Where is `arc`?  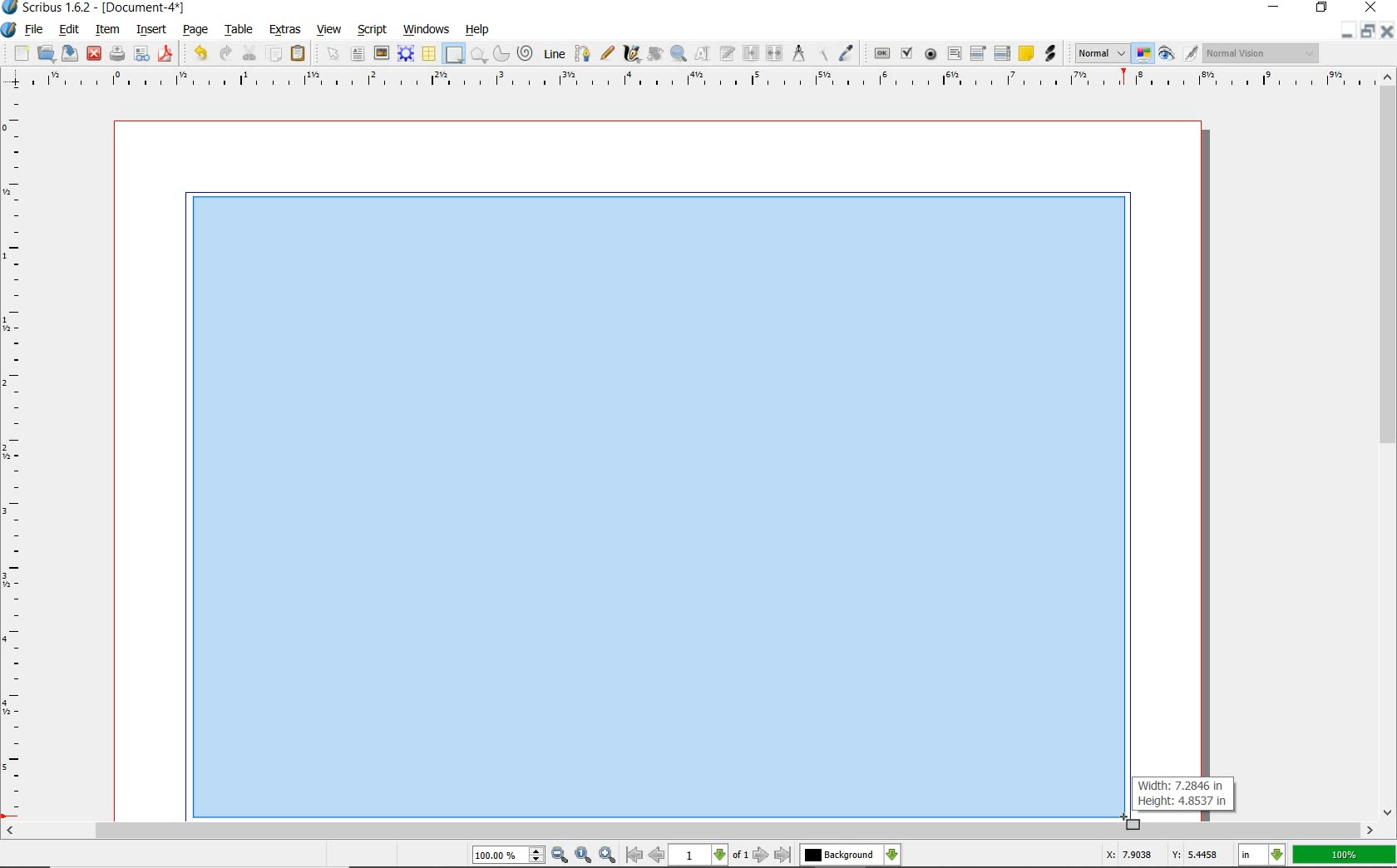
arc is located at coordinates (501, 52).